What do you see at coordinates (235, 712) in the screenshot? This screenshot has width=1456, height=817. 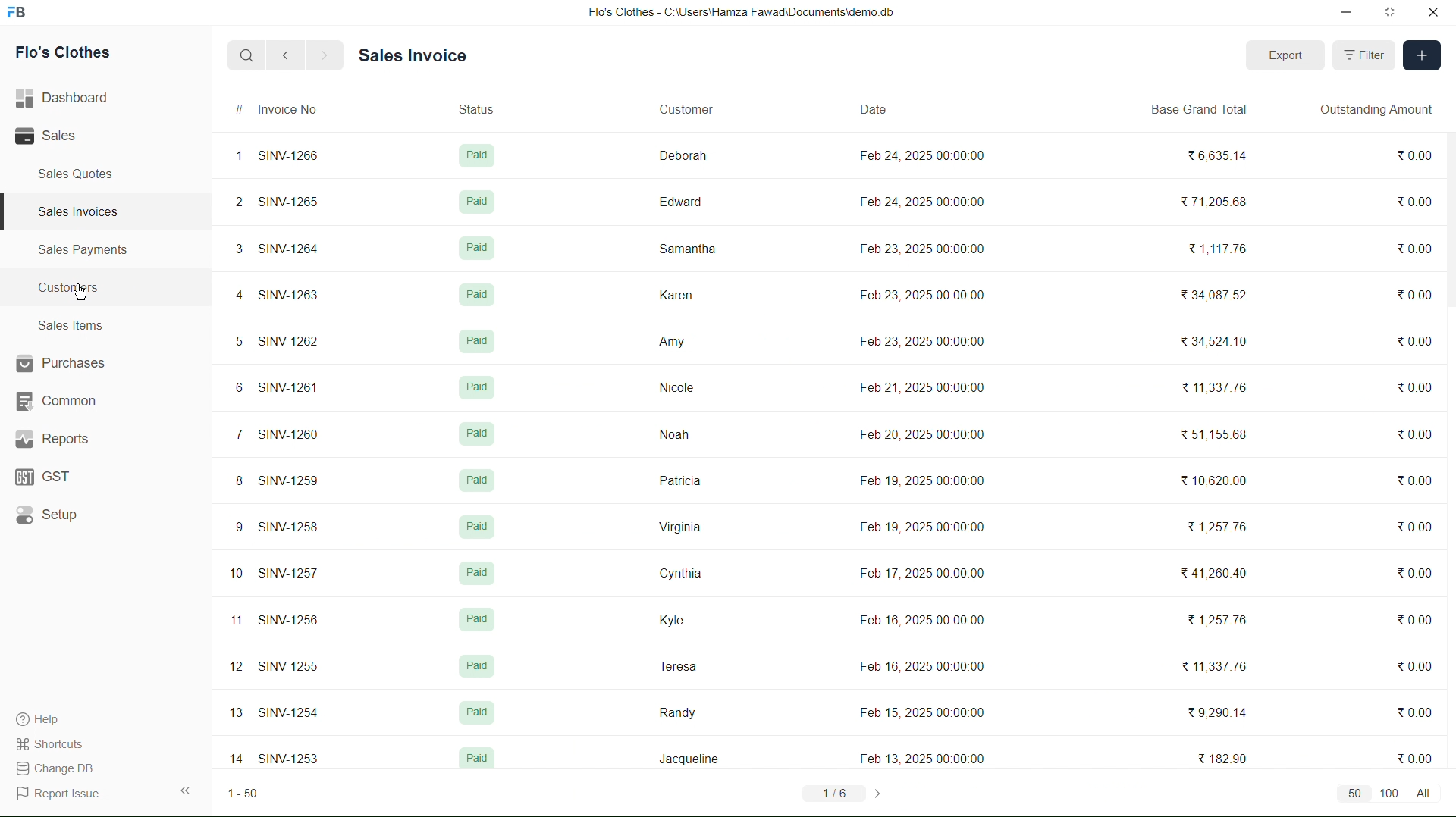 I see `13` at bounding box center [235, 712].